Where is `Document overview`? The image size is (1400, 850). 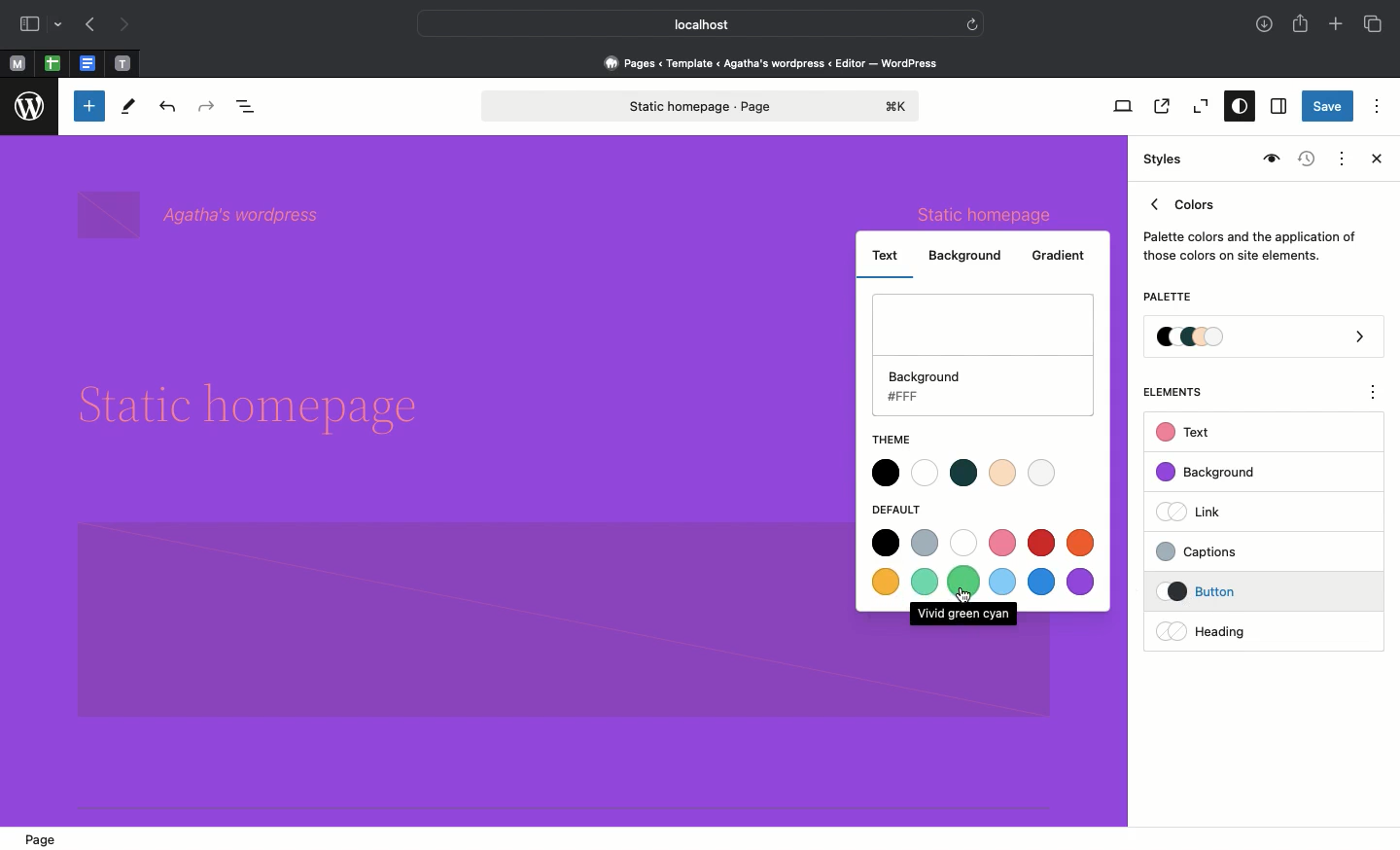
Document overview is located at coordinates (250, 108).